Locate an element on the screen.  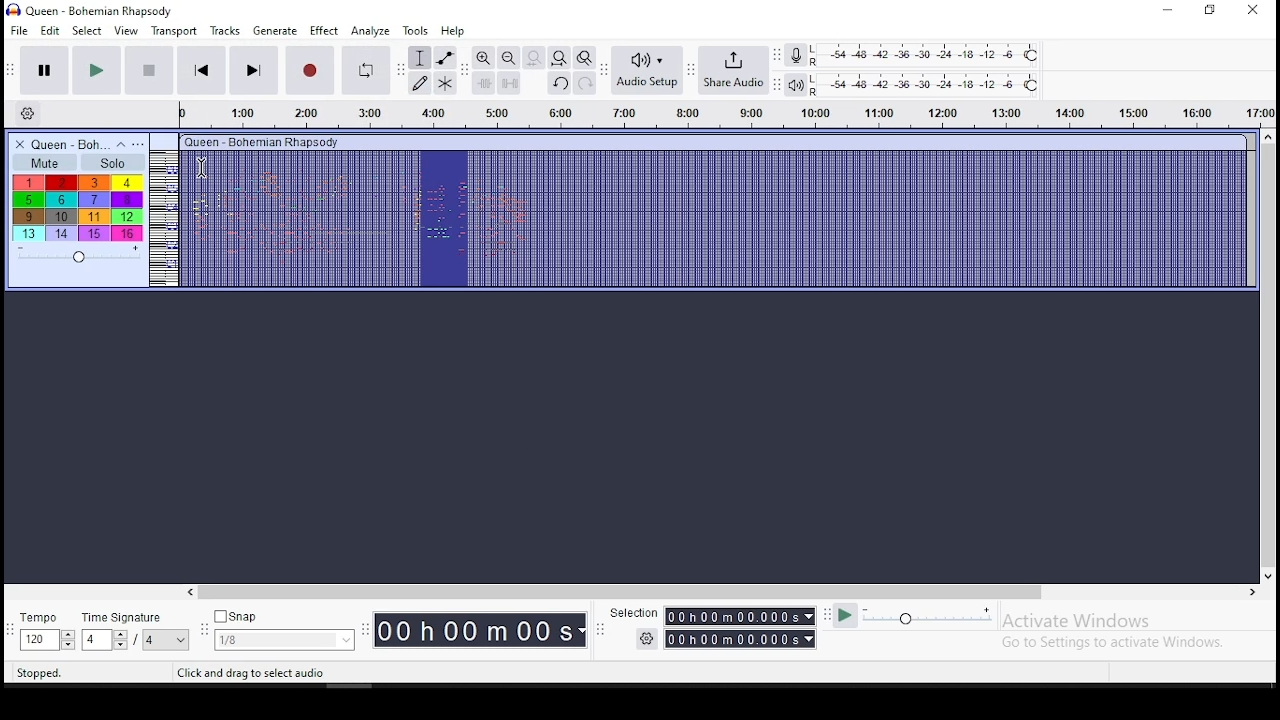
restore is located at coordinates (1212, 9).